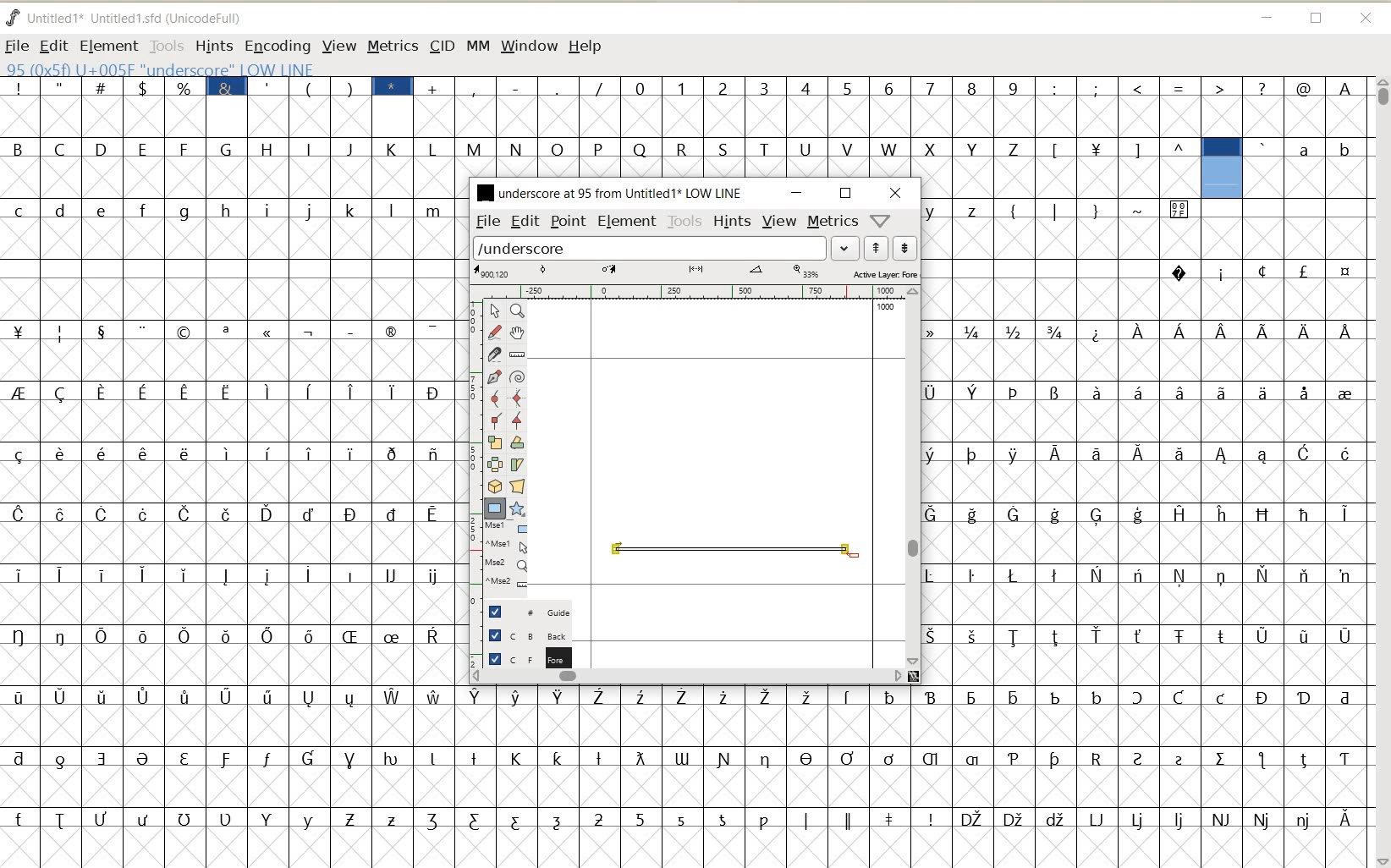  Describe the element at coordinates (507, 556) in the screenshot. I see `cursor events on the opened outline window` at that location.